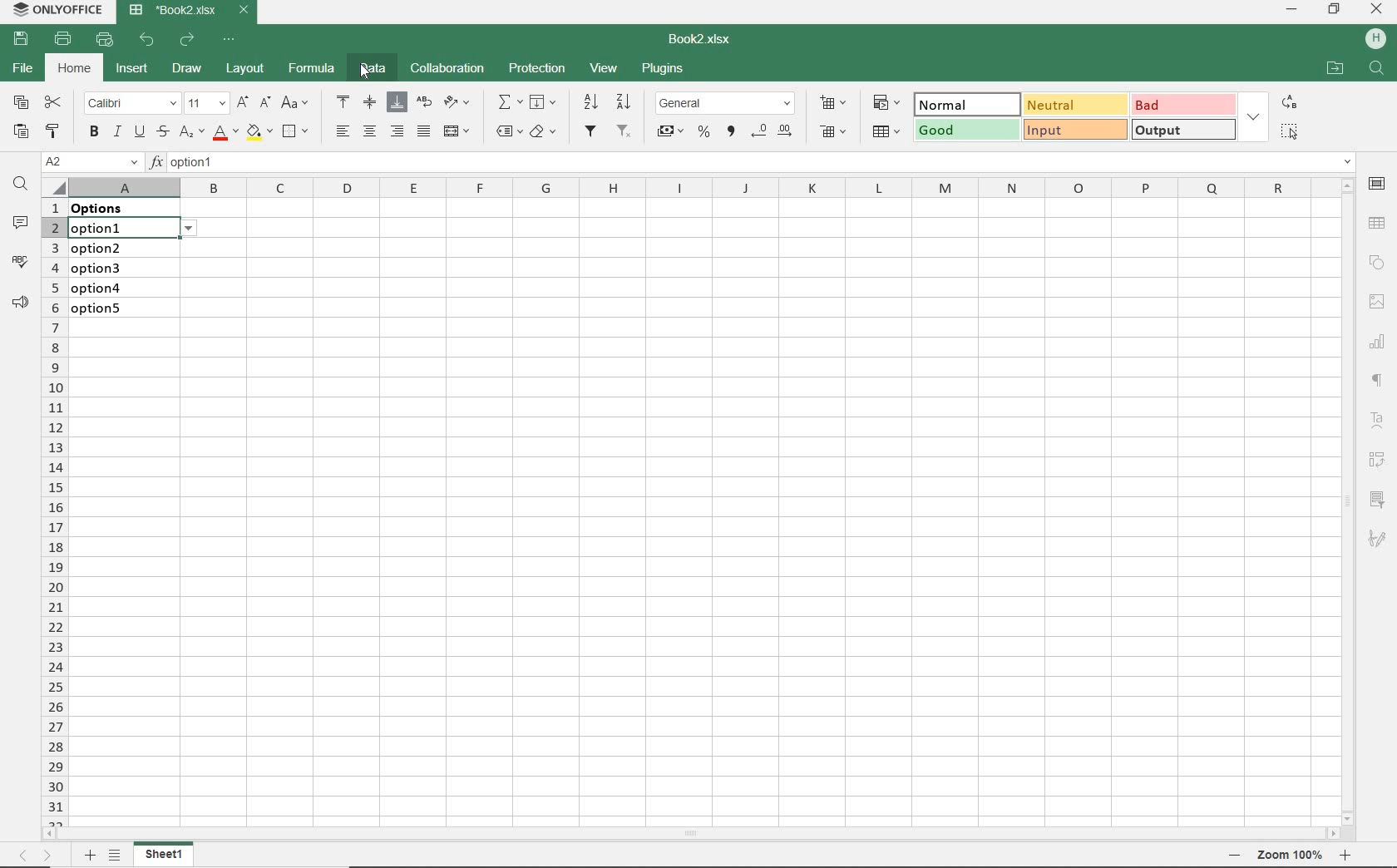 This screenshot has height=868, width=1397. What do you see at coordinates (507, 104) in the screenshot?
I see `INSERT FUNCTION` at bounding box center [507, 104].